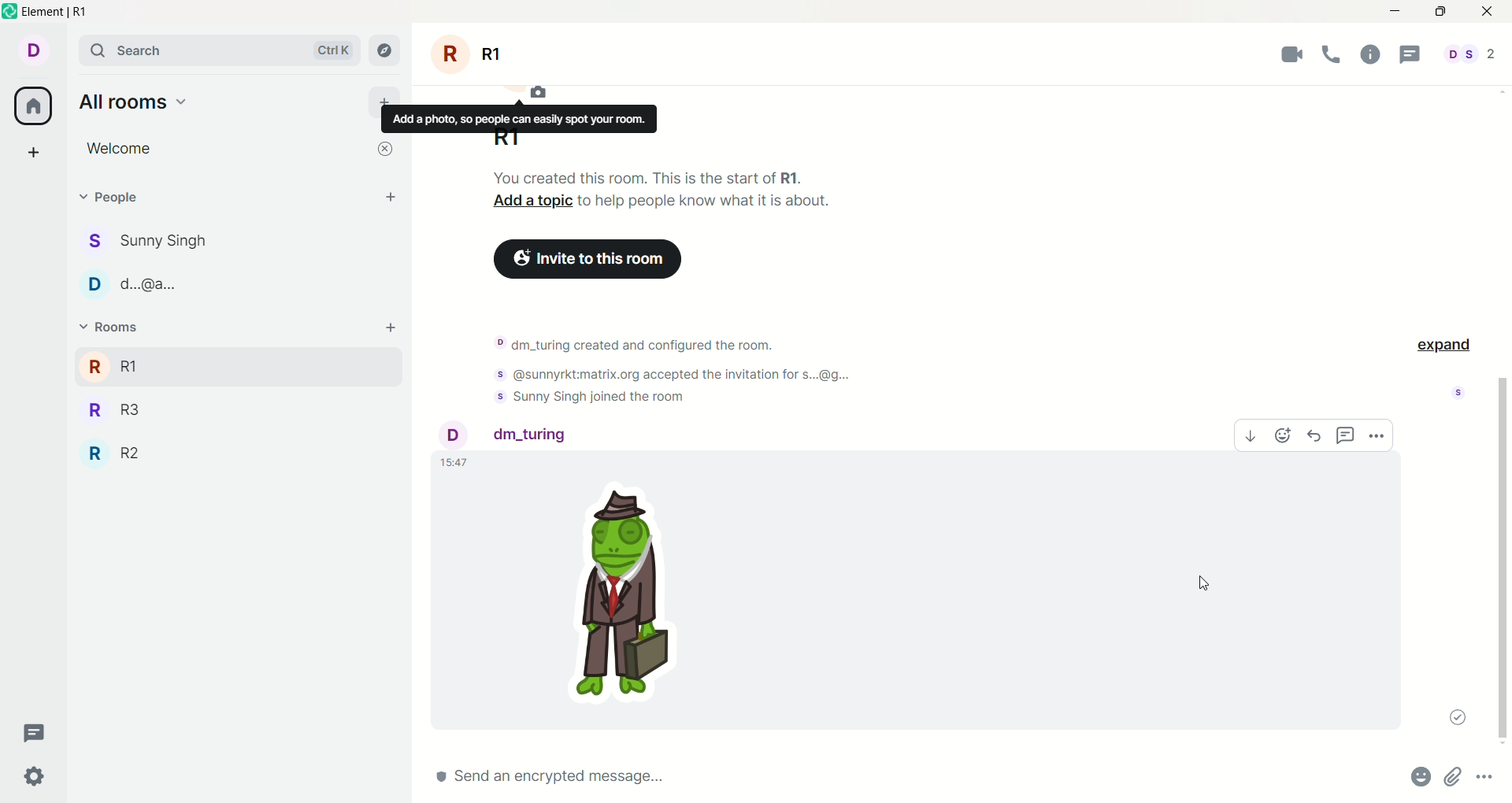  I want to click on Element logo, so click(10, 11).